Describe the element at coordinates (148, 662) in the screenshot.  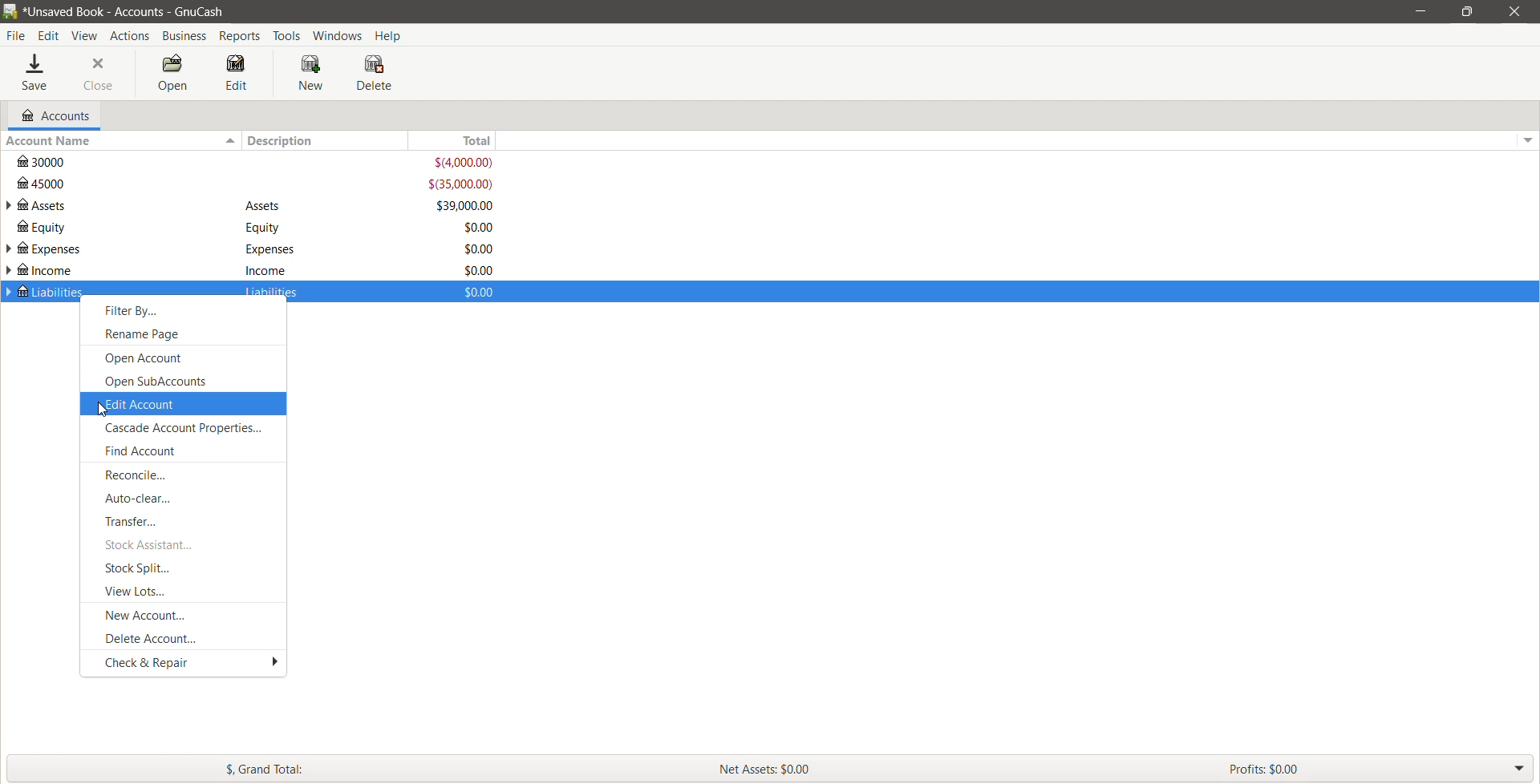
I see `Check and Repair` at that location.